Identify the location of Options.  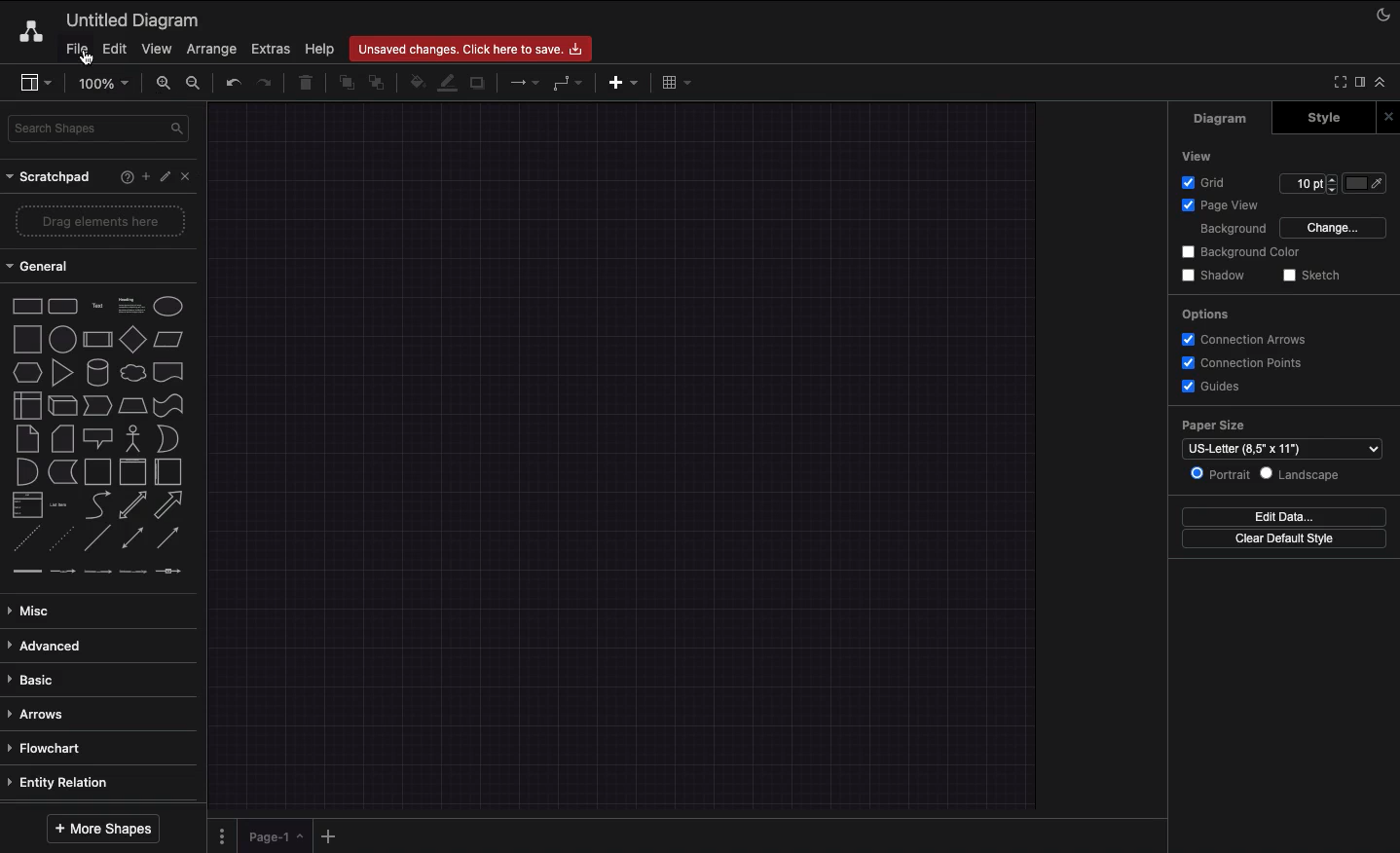
(1203, 314).